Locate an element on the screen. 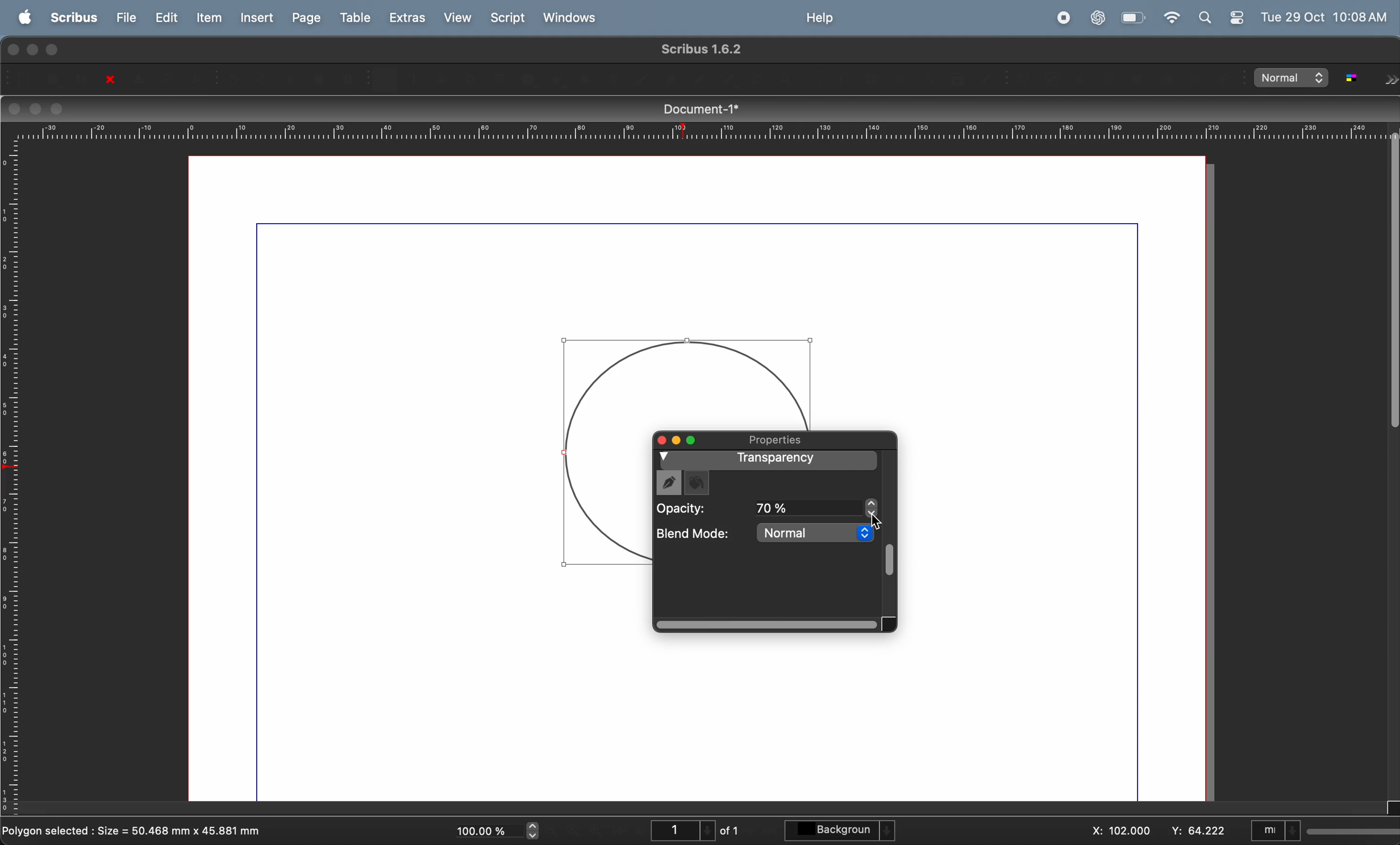 The width and height of the screenshot is (1400, 845). minimize is located at coordinates (31, 49).